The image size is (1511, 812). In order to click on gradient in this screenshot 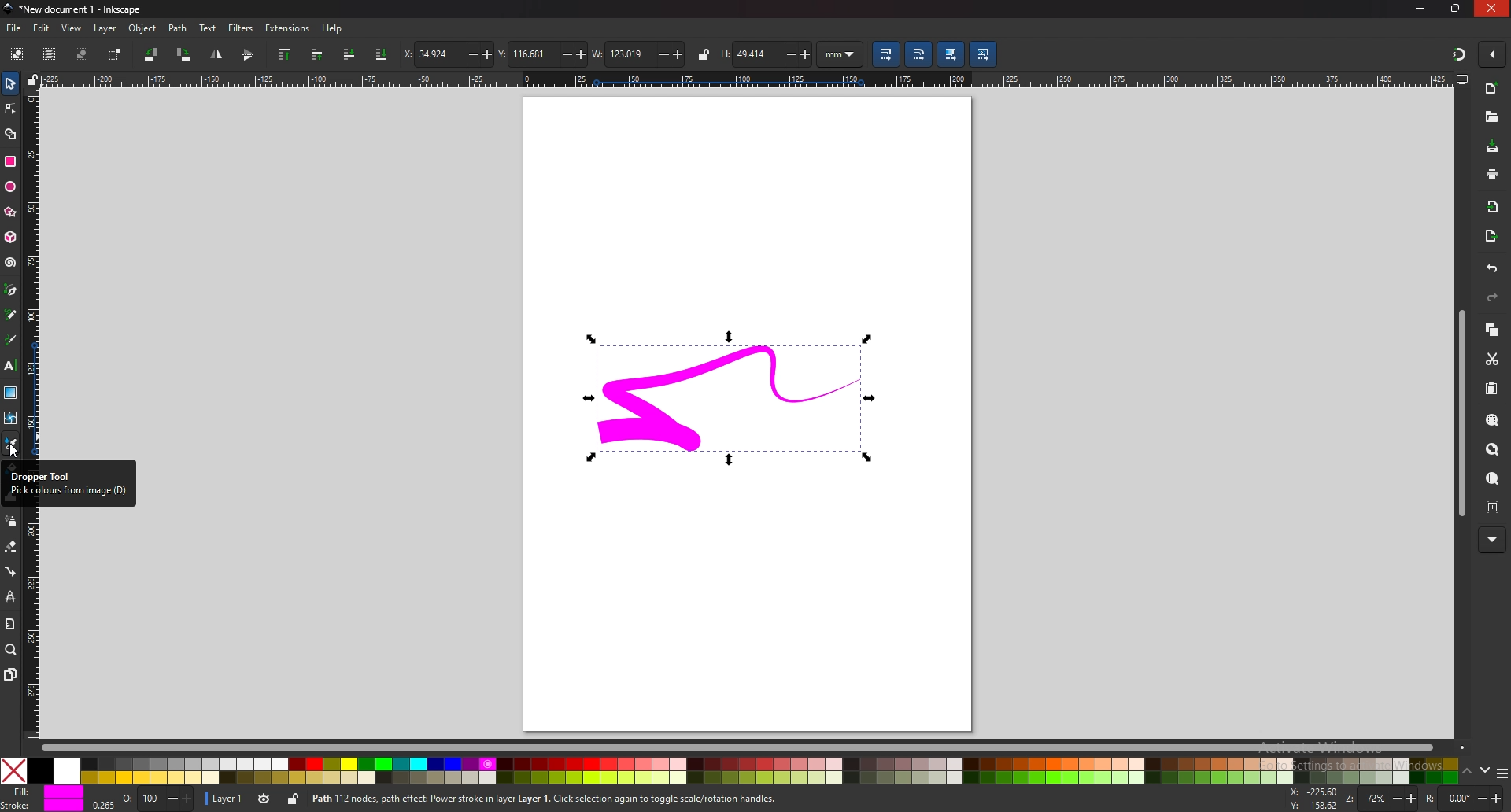, I will do `click(10, 391)`.